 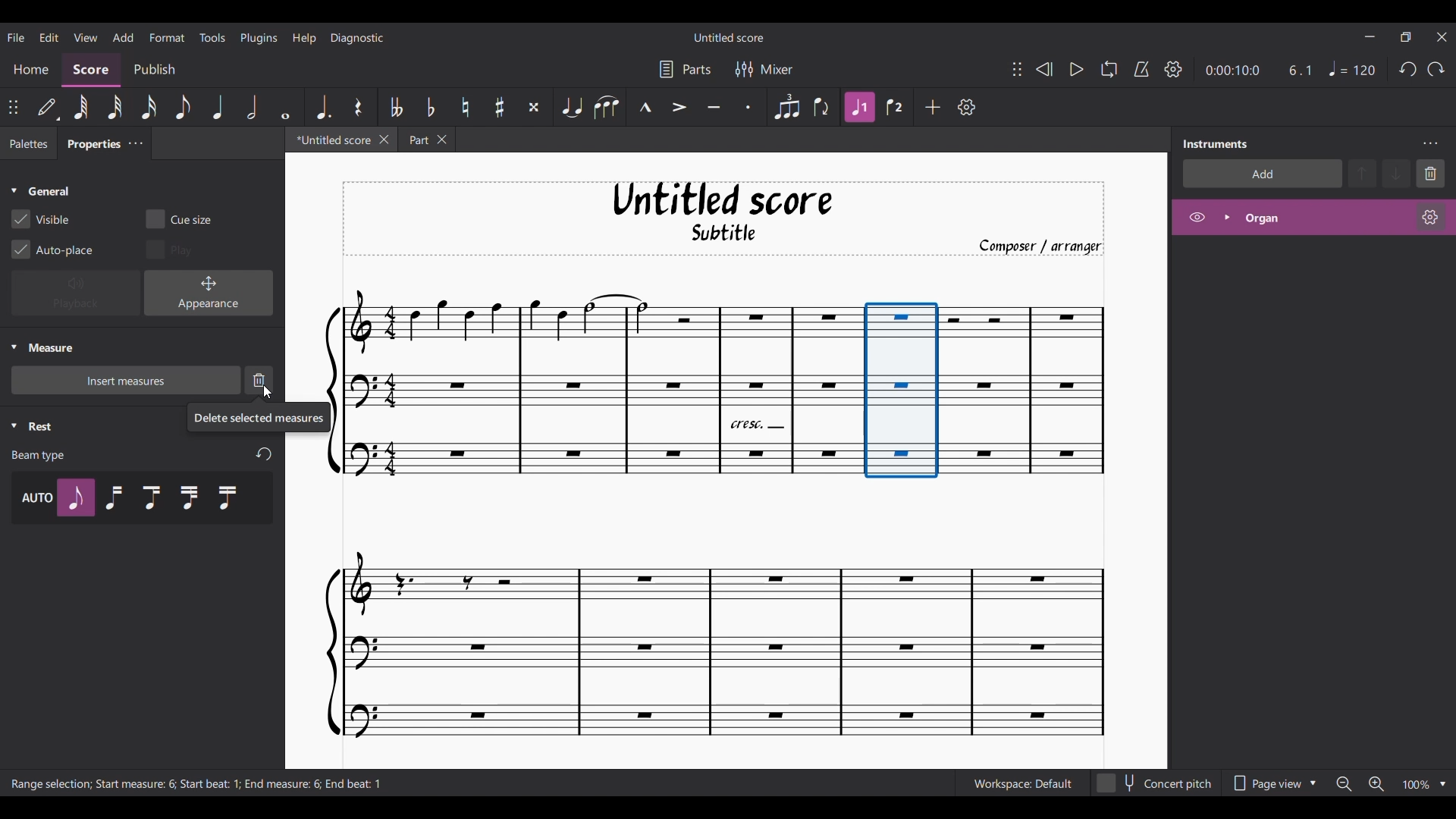 I want to click on Toggle for Play, so click(x=169, y=250).